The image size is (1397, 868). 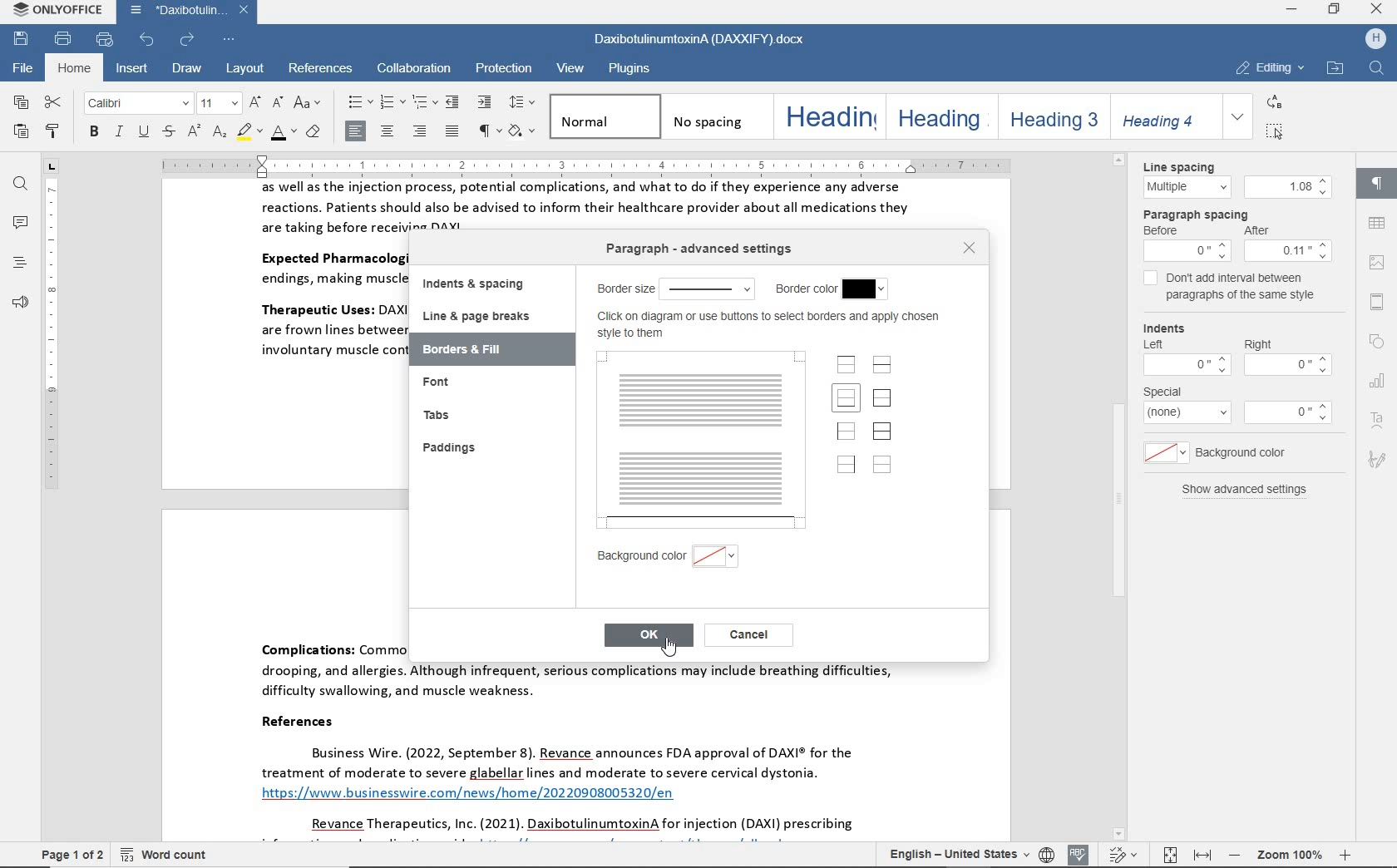 What do you see at coordinates (755, 636) in the screenshot?
I see `cancel` at bounding box center [755, 636].